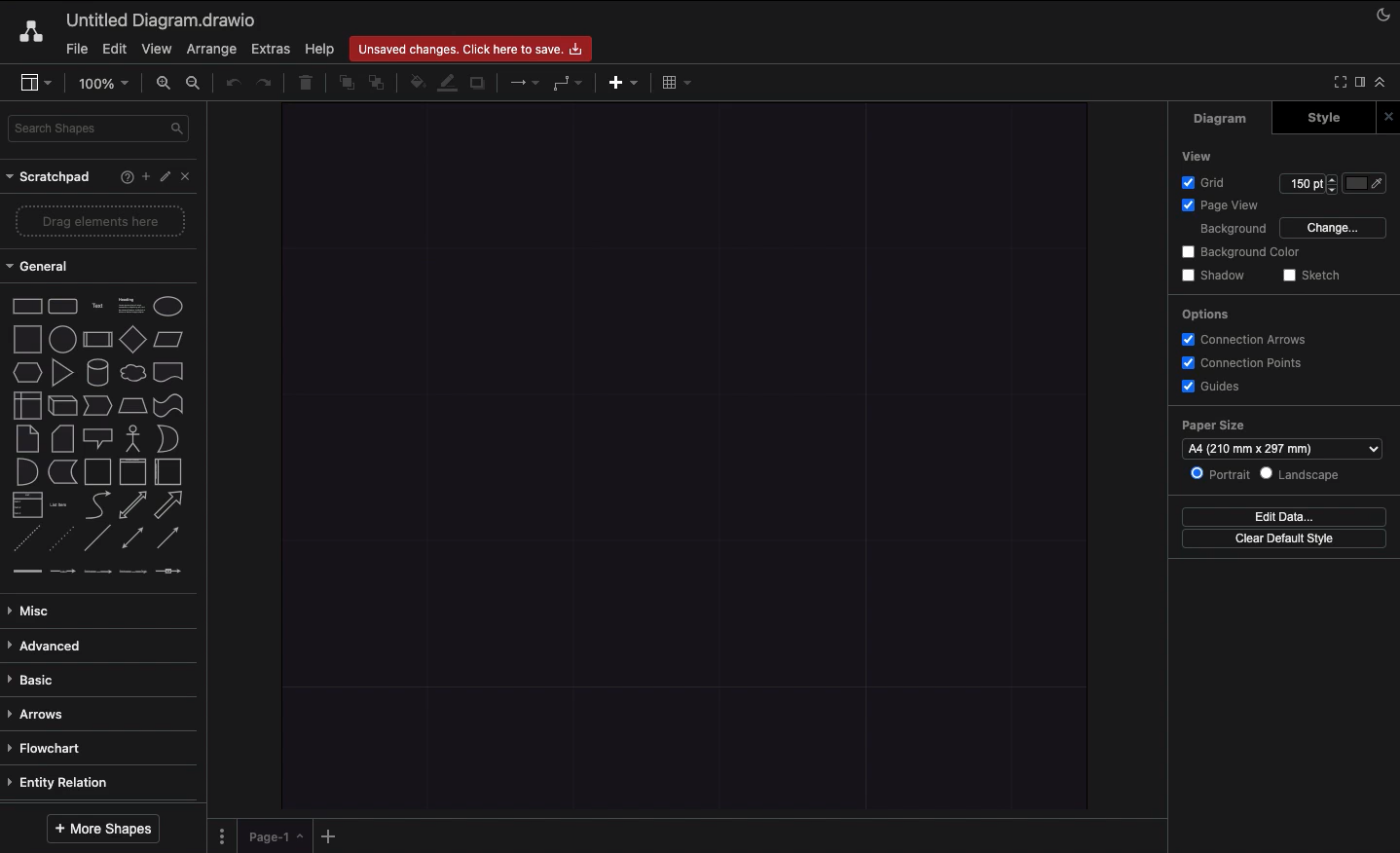  What do you see at coordinates (1195, 156) in the screenshot?
I see `View` at bounding box center [1195, 156].